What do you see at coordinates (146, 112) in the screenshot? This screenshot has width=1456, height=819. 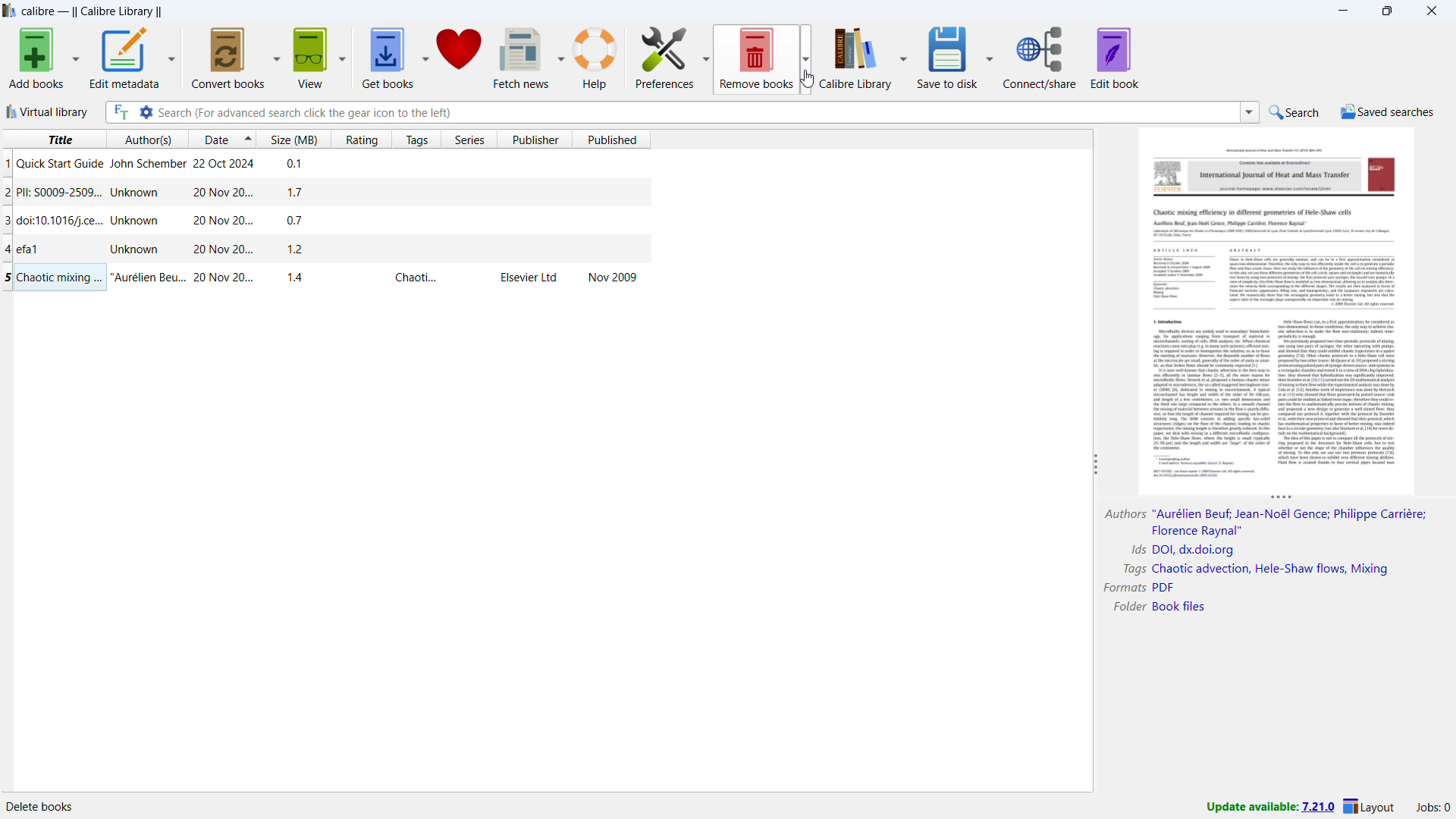 I see `advanced search` at bounding box center [146, 112].